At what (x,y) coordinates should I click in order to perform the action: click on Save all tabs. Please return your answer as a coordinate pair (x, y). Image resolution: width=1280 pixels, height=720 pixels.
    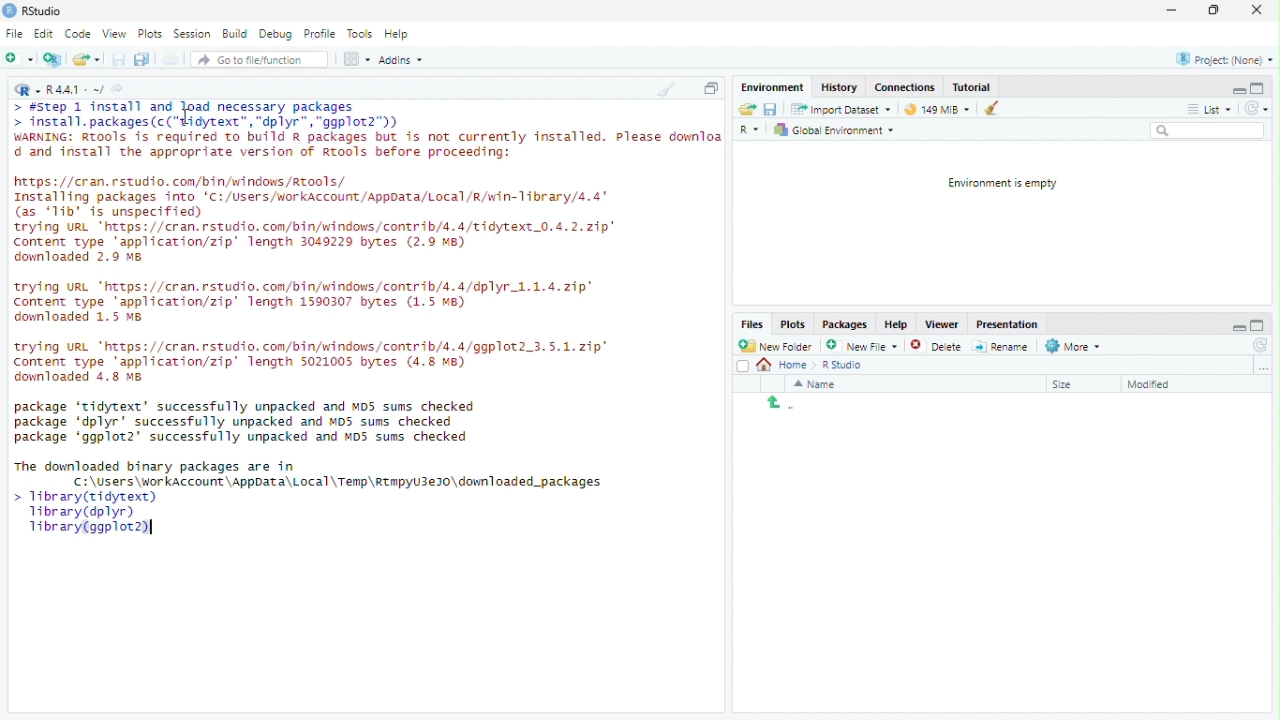
    Looking at the image, I should click on (141, 58).